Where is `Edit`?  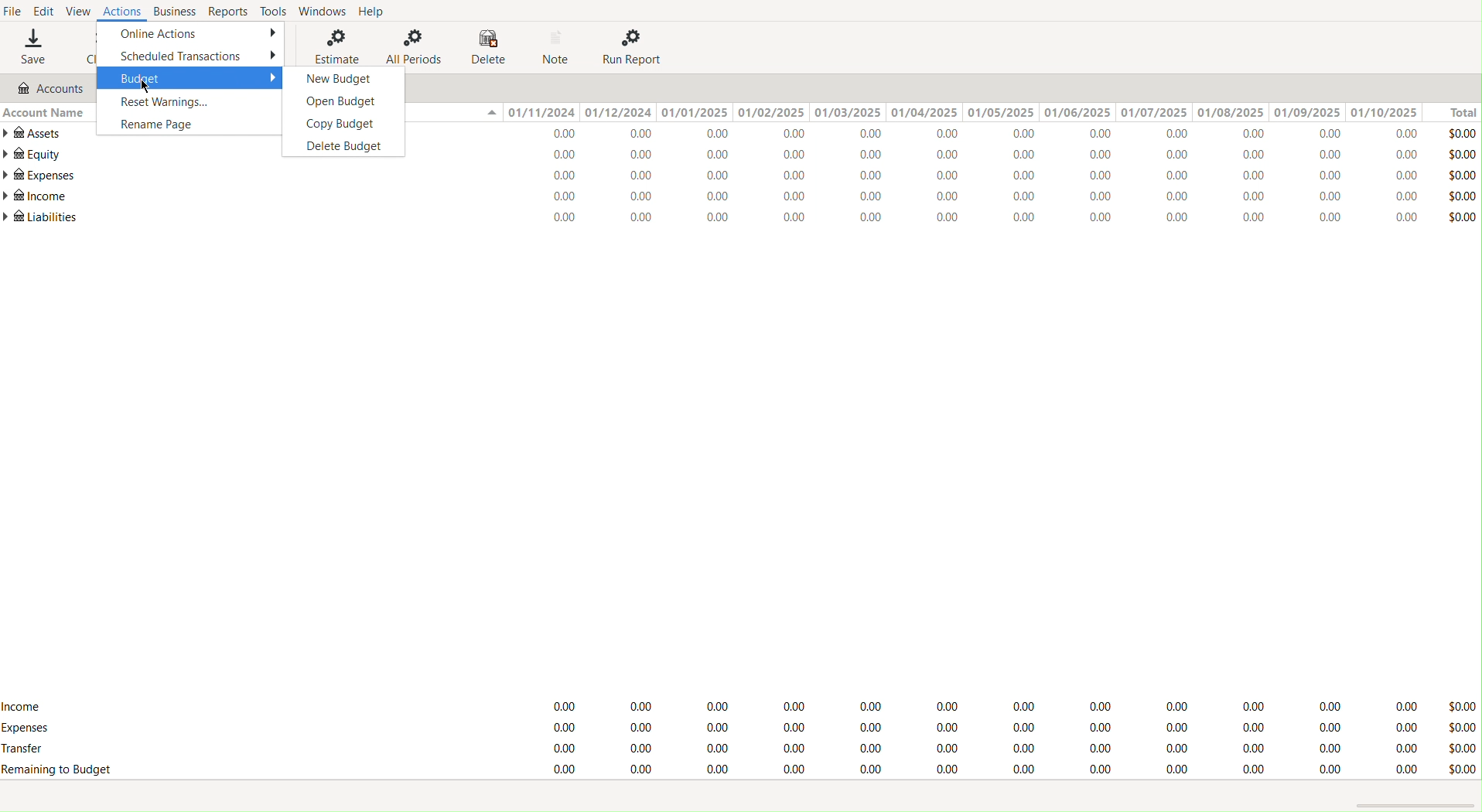
Edit is located at coordinates (42, 12).